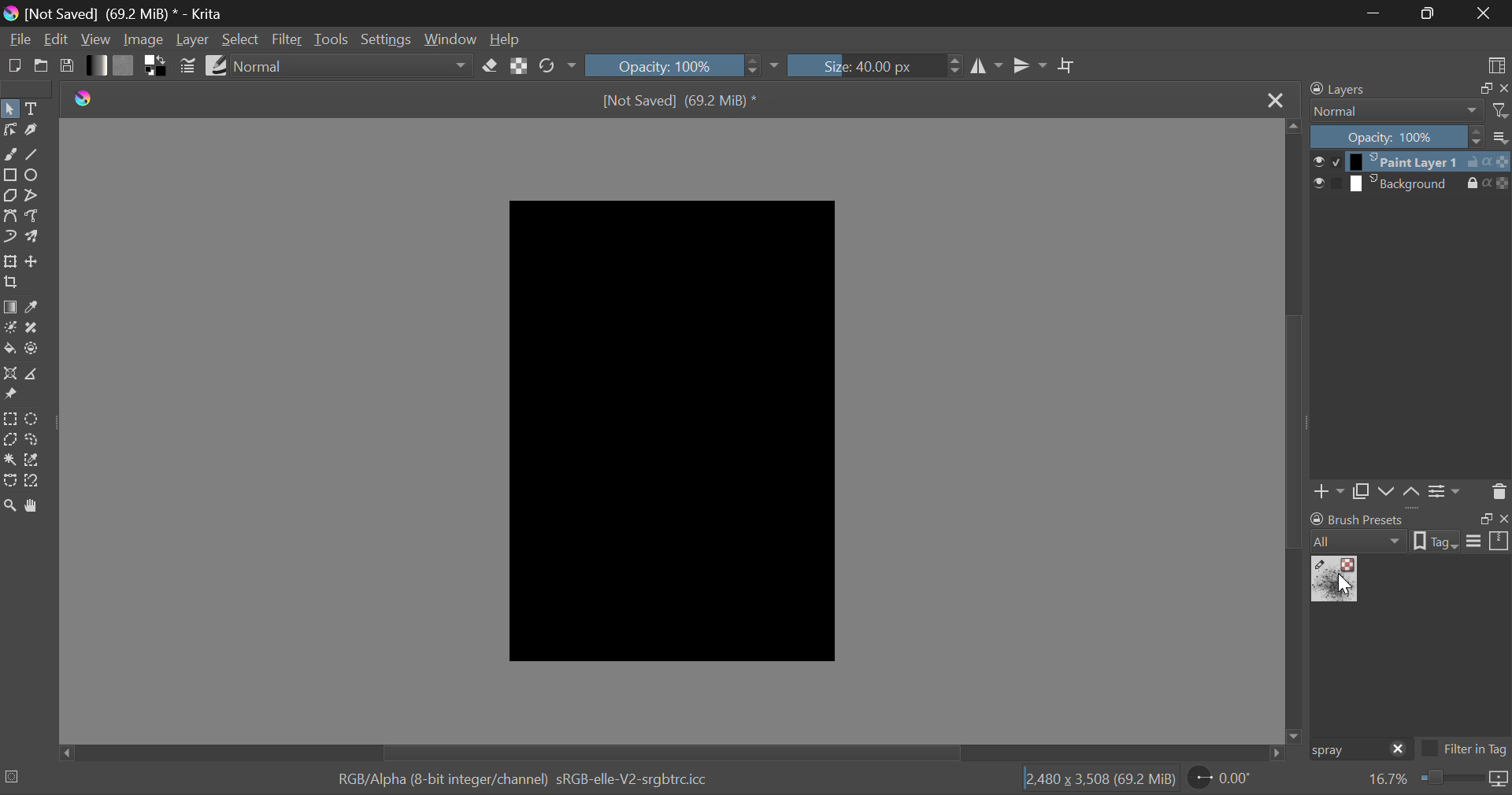  Describe the element at coordinates (10, 420) in the screenshot. I see `Rectangular Selection` at that location.